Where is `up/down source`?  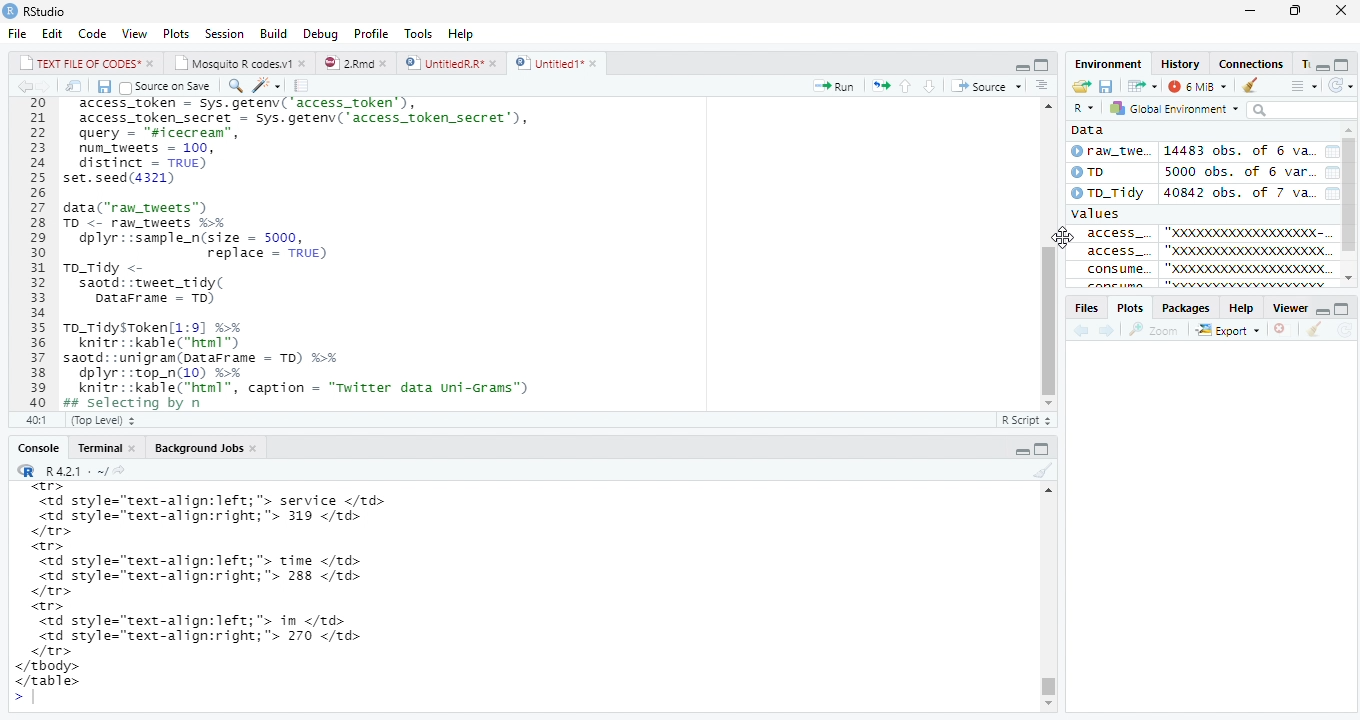
up/down source is located at coordinates (929, 85).